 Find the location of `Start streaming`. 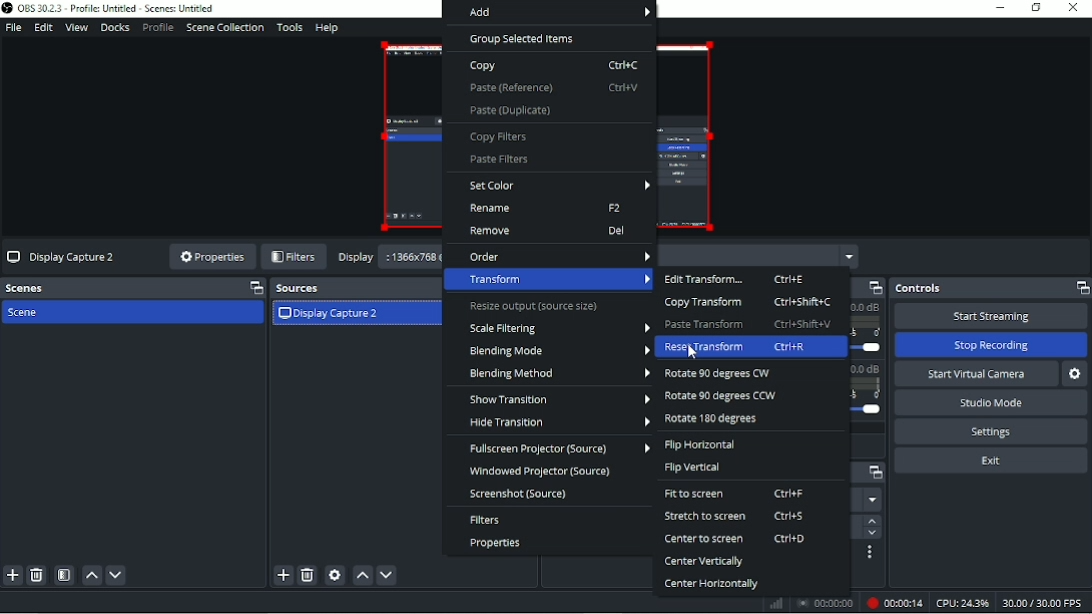

Start streaming is located at coordinates (990, 316).